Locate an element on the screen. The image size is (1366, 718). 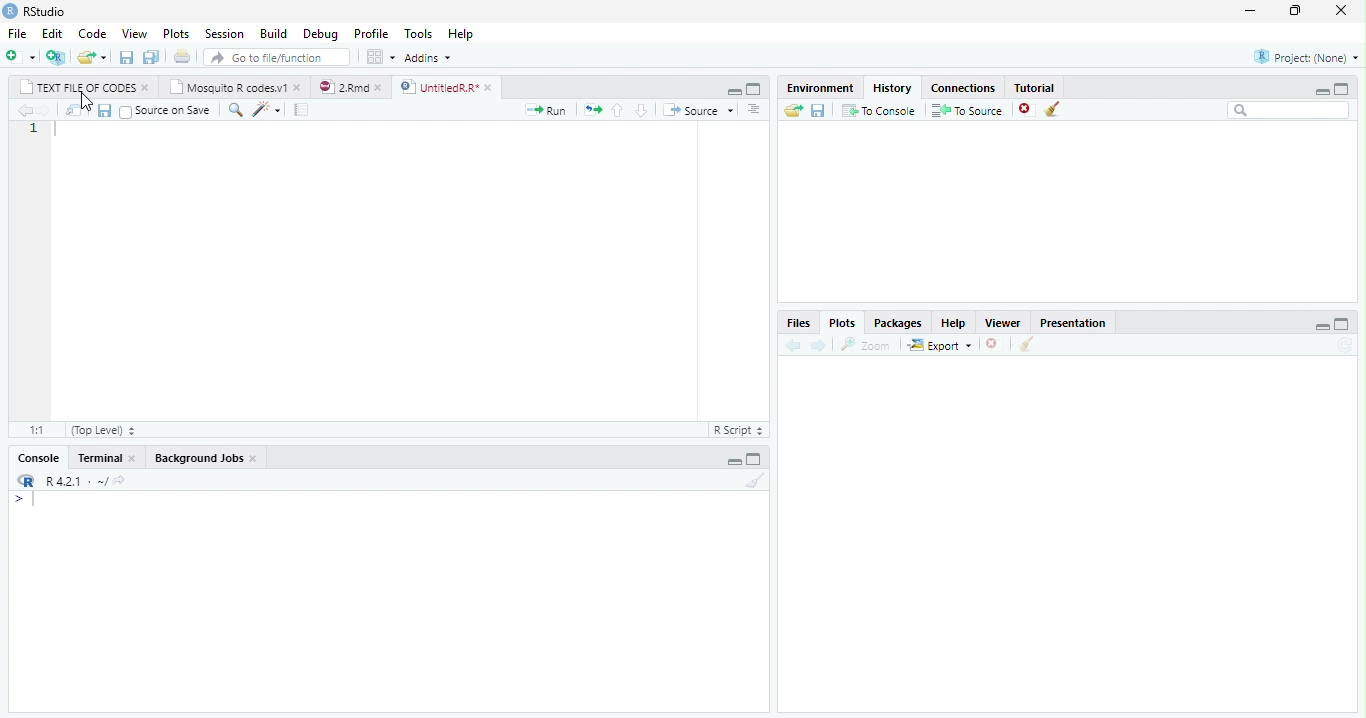
tutorial is located at coordinates (1045, 88).